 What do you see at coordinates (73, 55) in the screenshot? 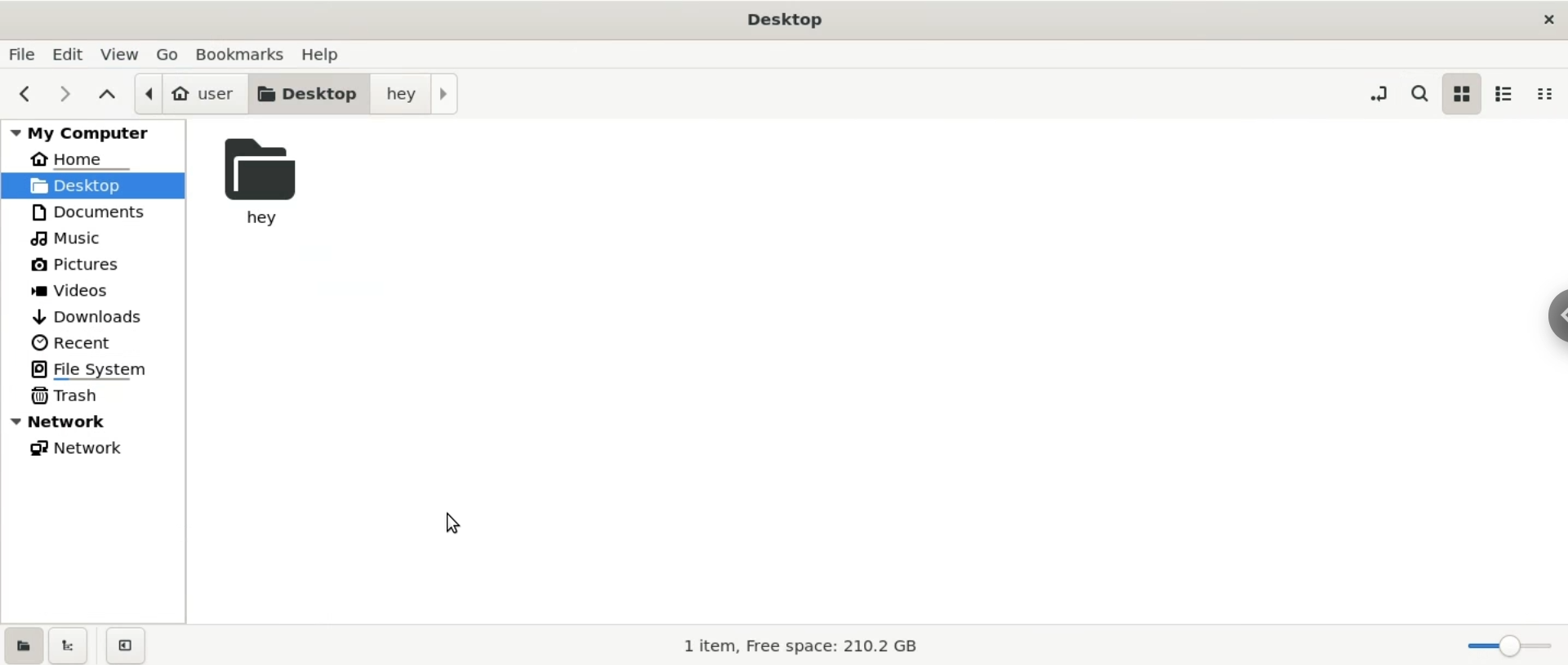
I see `edit` at bounding box center [73, 55].